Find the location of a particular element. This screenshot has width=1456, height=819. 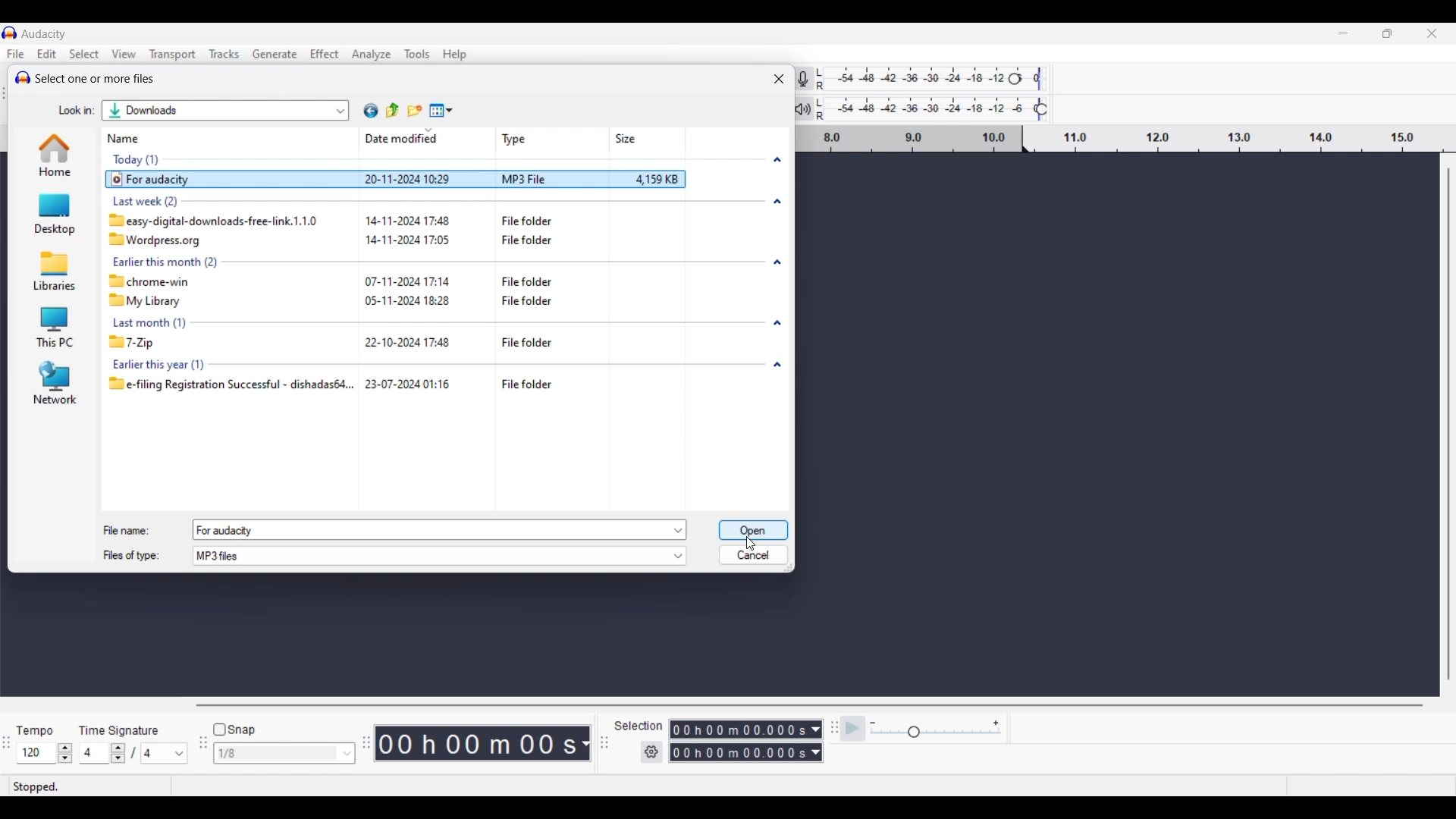

View menu is located at coordinates (124, 53).